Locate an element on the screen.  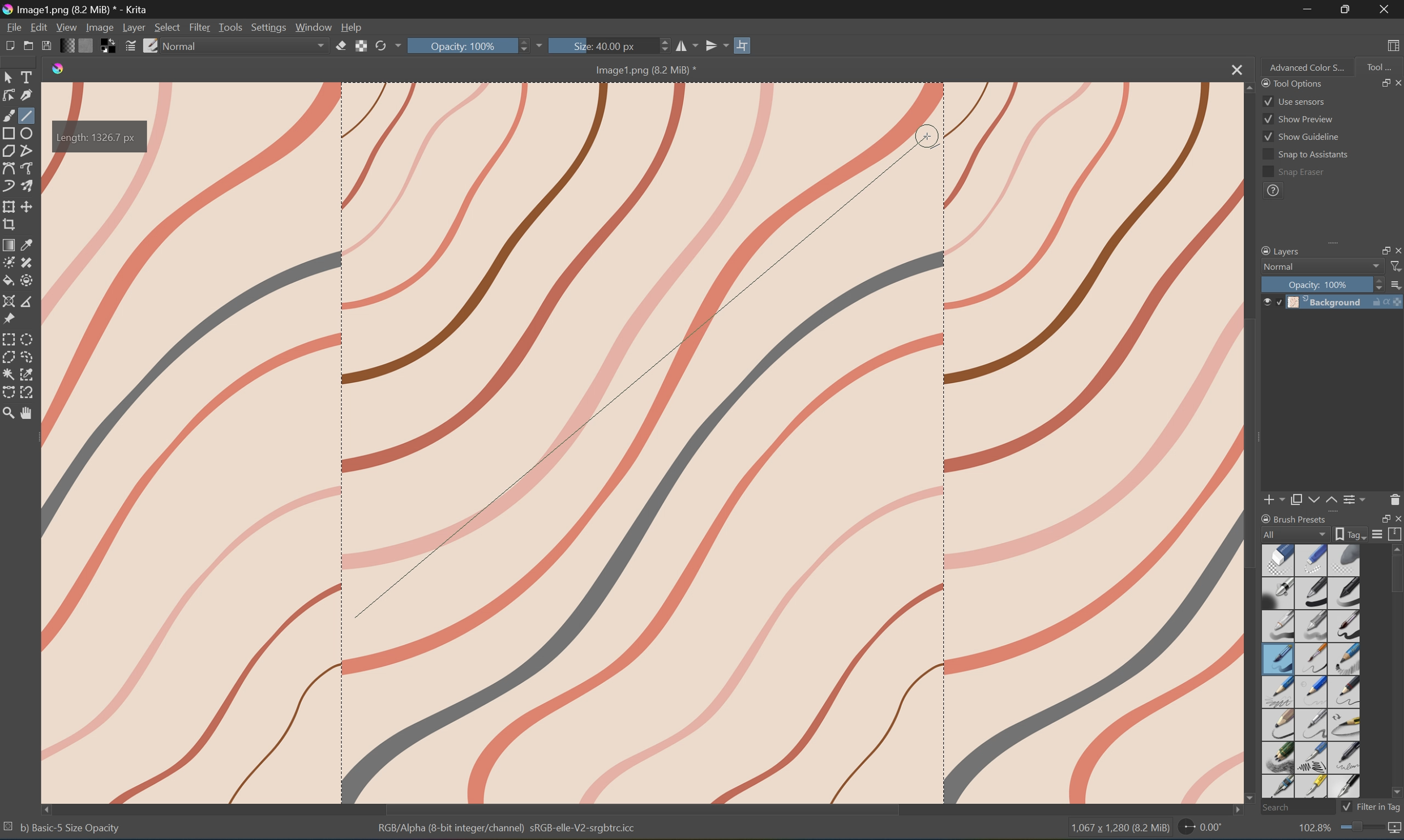
Edit brush settings is located at coordinates (129, 48).